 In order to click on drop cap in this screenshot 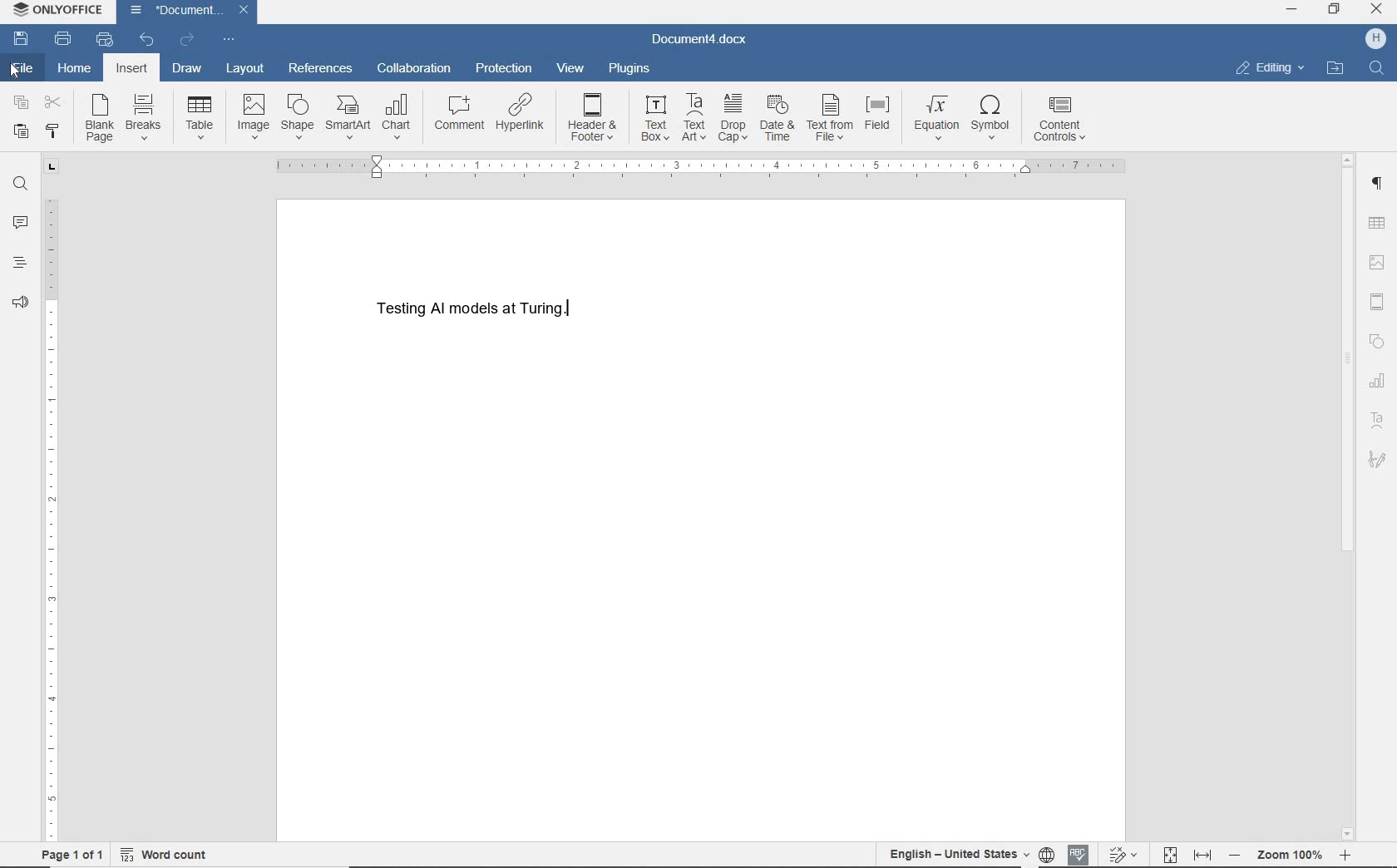, I will do `click(732, 116)`.